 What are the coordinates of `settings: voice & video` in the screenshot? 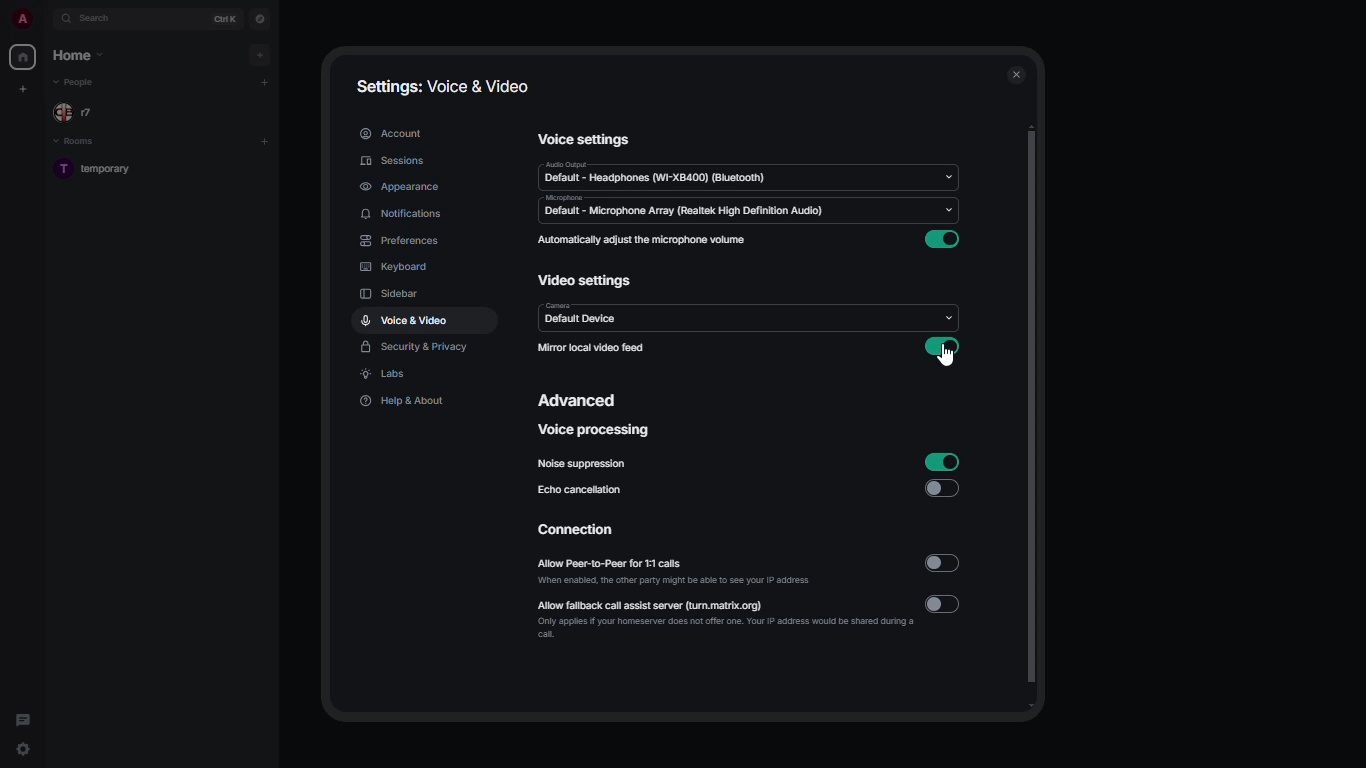 It's located at (443, 88).